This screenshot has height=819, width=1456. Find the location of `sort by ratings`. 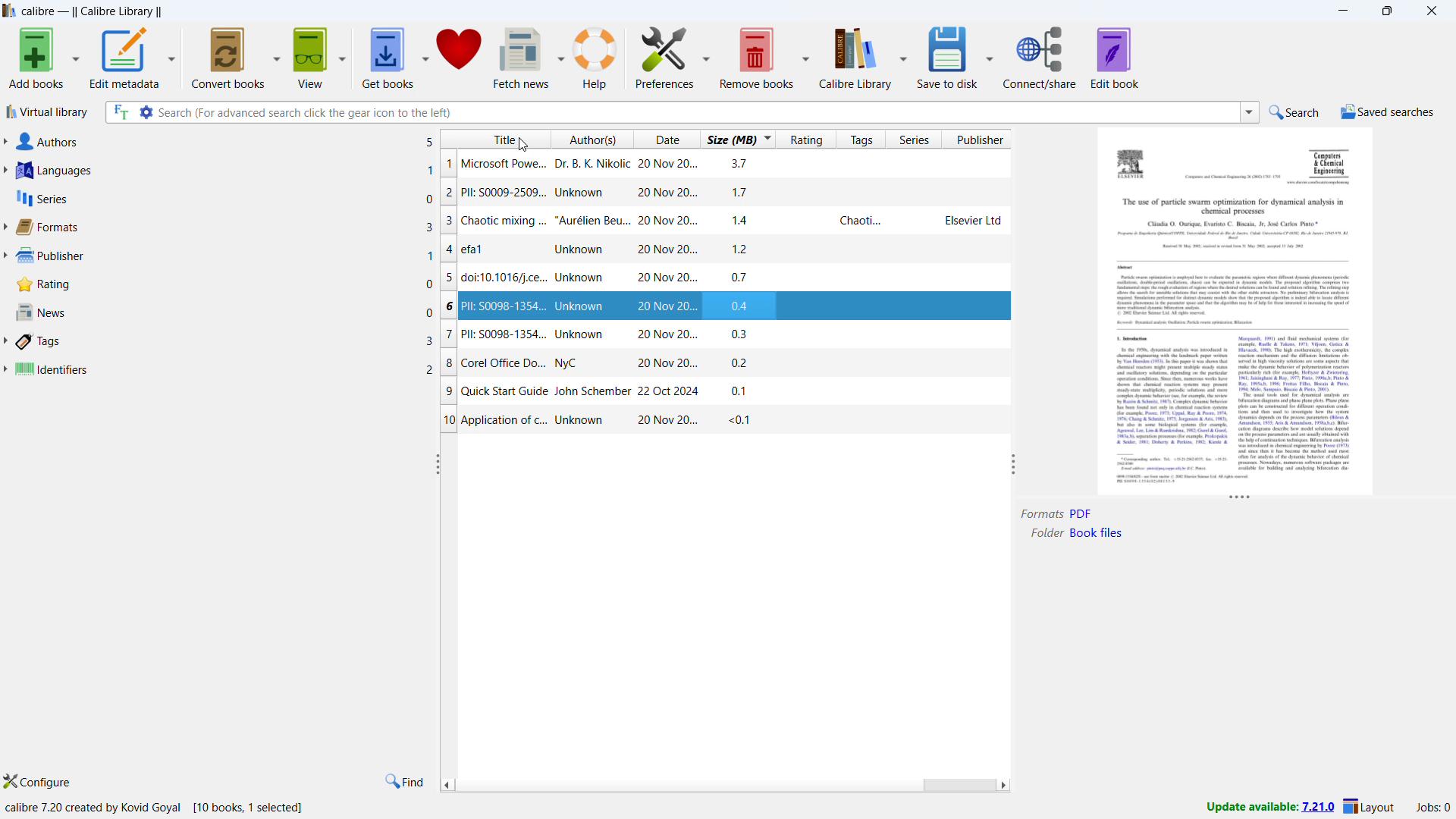

sort by ratings is located at coordinates (808, 140).